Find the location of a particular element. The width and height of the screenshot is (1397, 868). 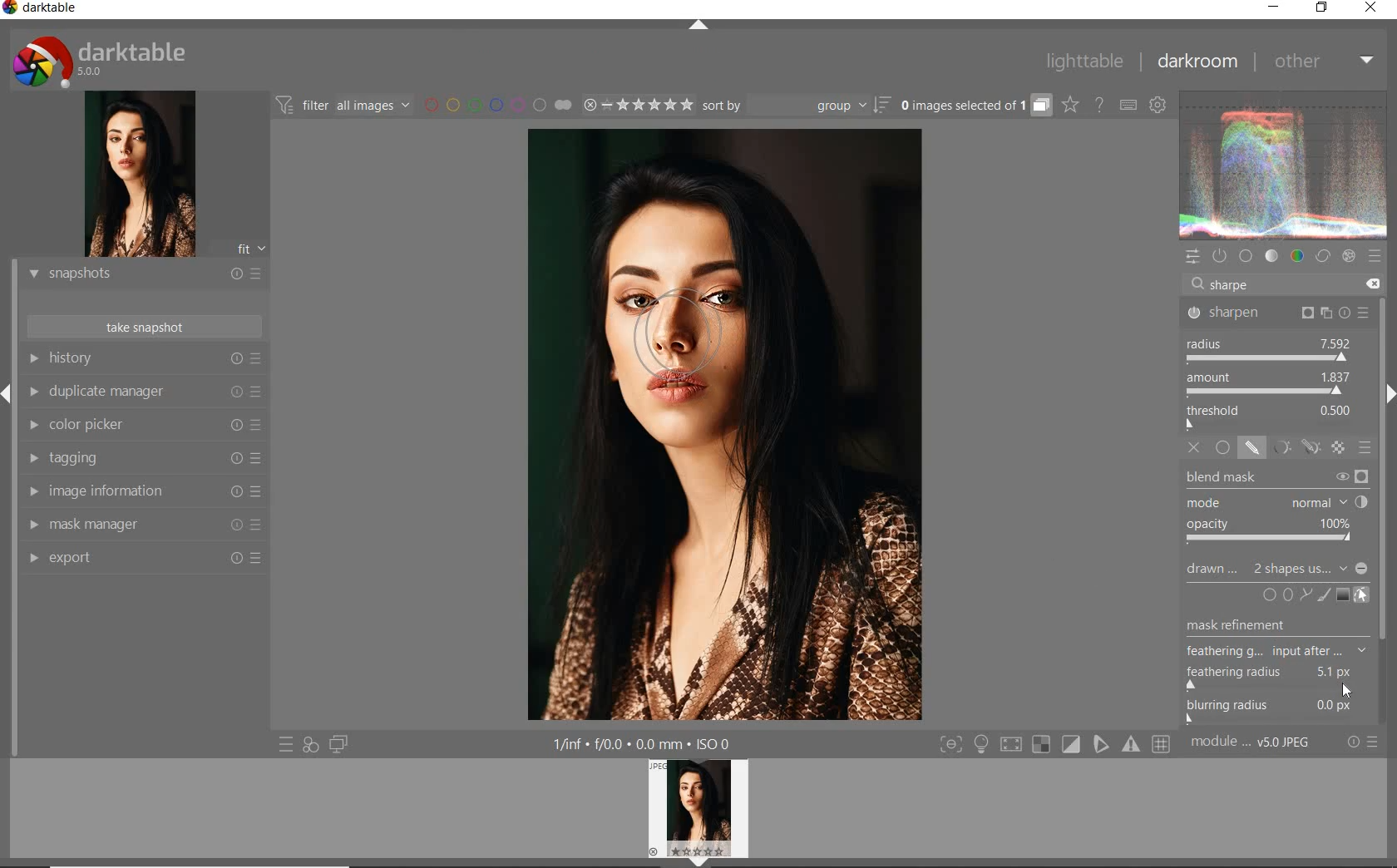

RADIUS is located at coordinates (1269, 348).